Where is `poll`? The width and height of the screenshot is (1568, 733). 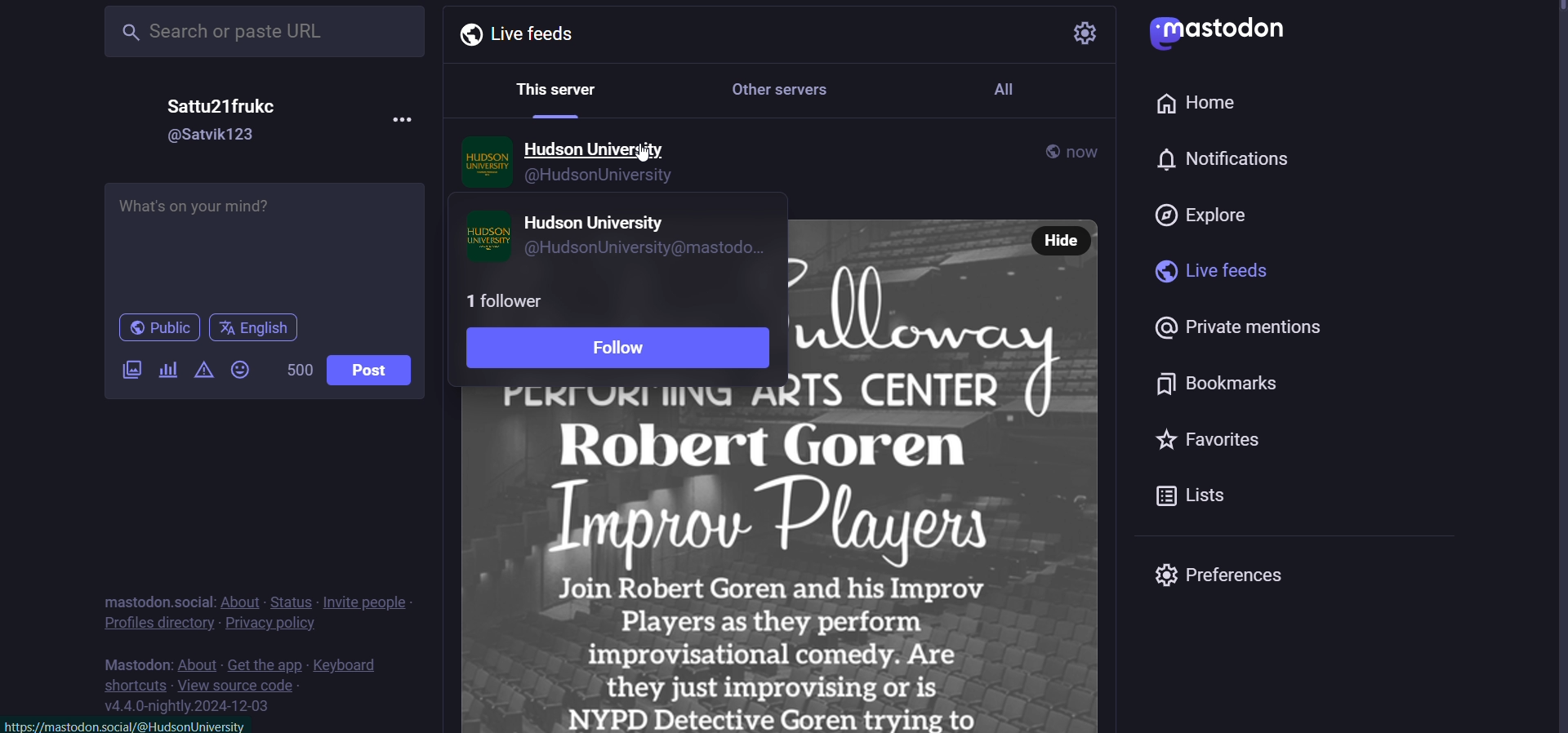 poll is located at coordinates (167, 371).